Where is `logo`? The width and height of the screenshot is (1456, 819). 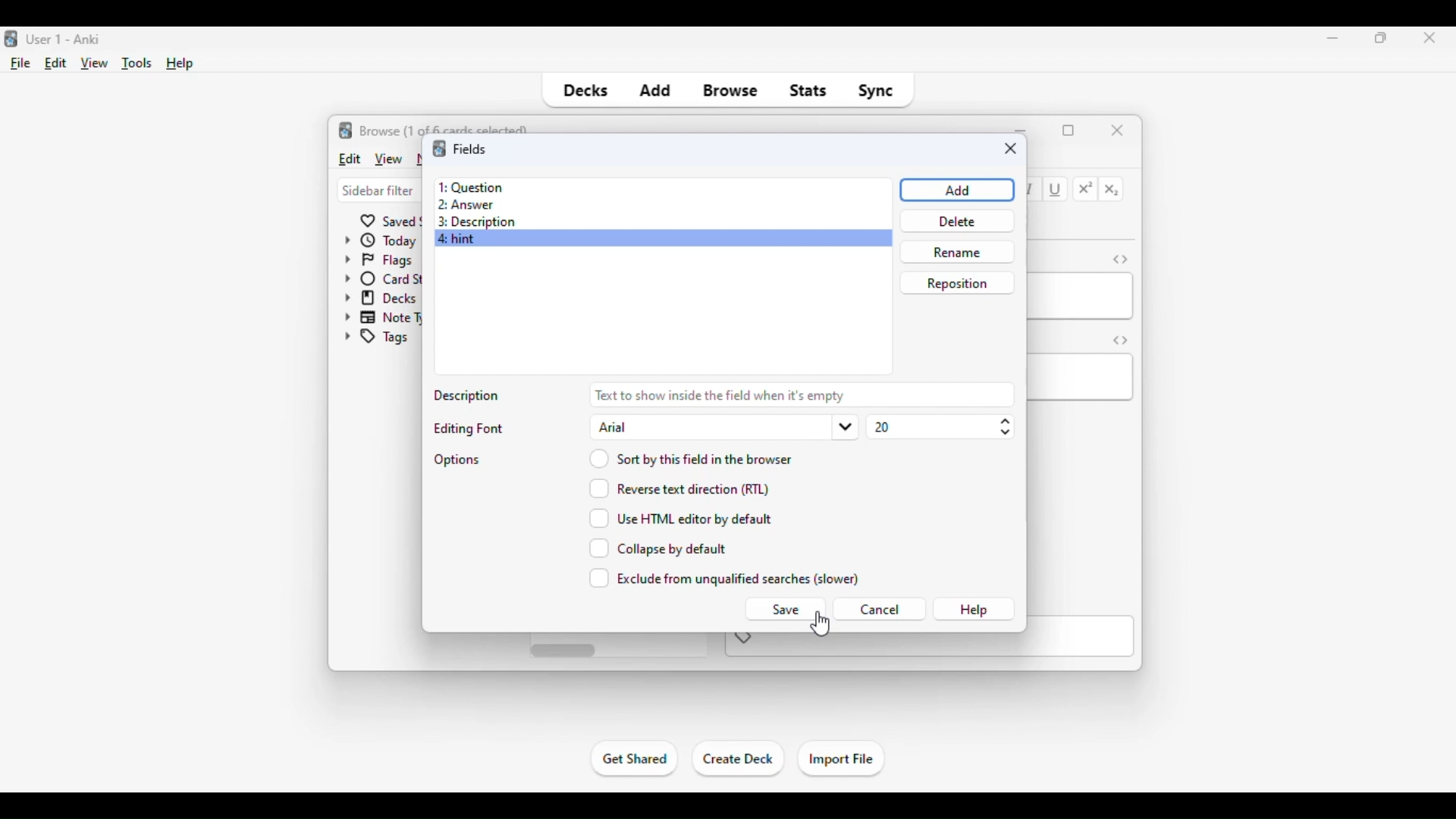
logo is located at coordinates (9, 39).